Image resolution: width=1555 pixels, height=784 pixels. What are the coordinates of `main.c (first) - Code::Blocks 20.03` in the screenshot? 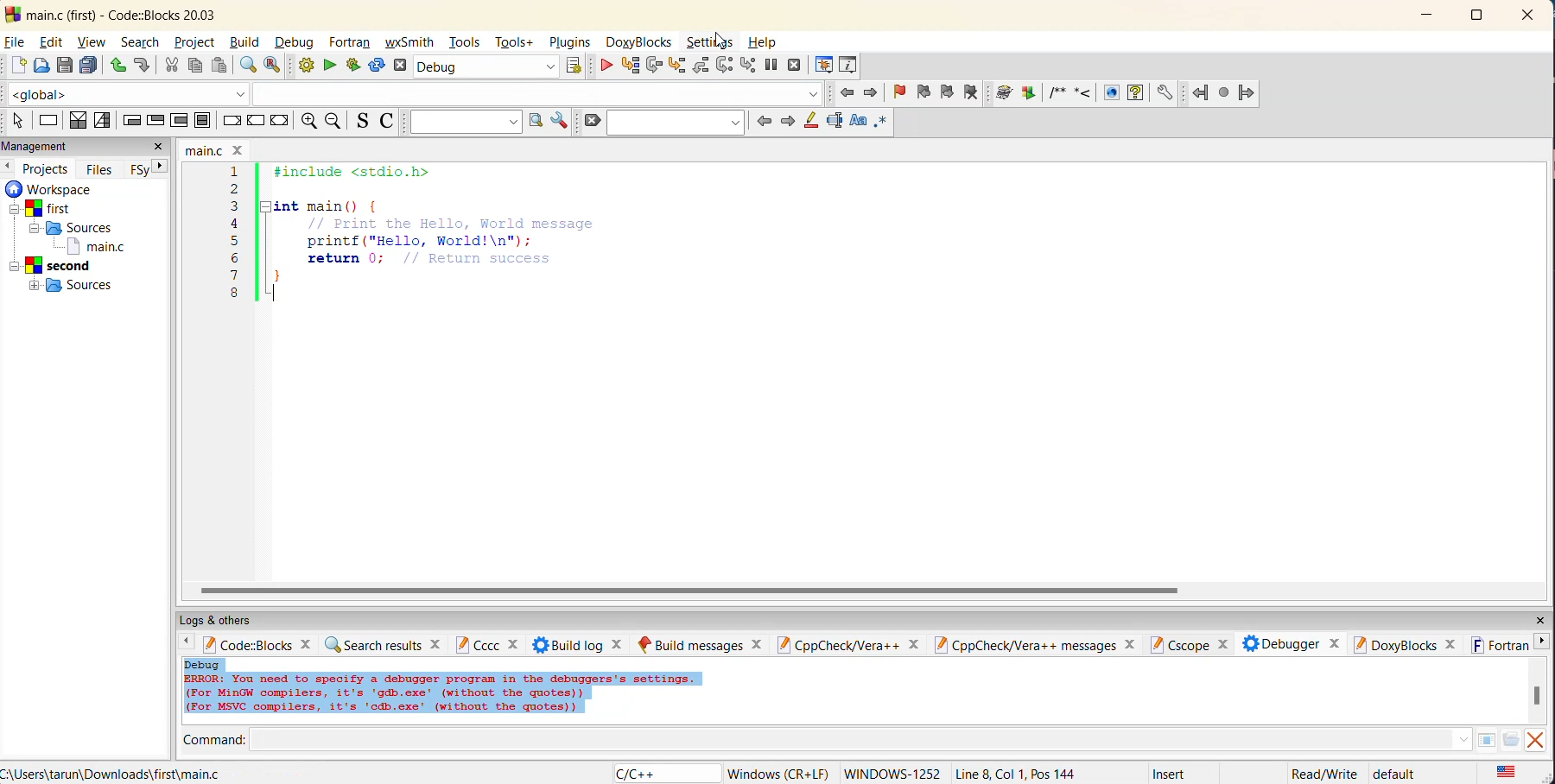 It's located at (116, 15).